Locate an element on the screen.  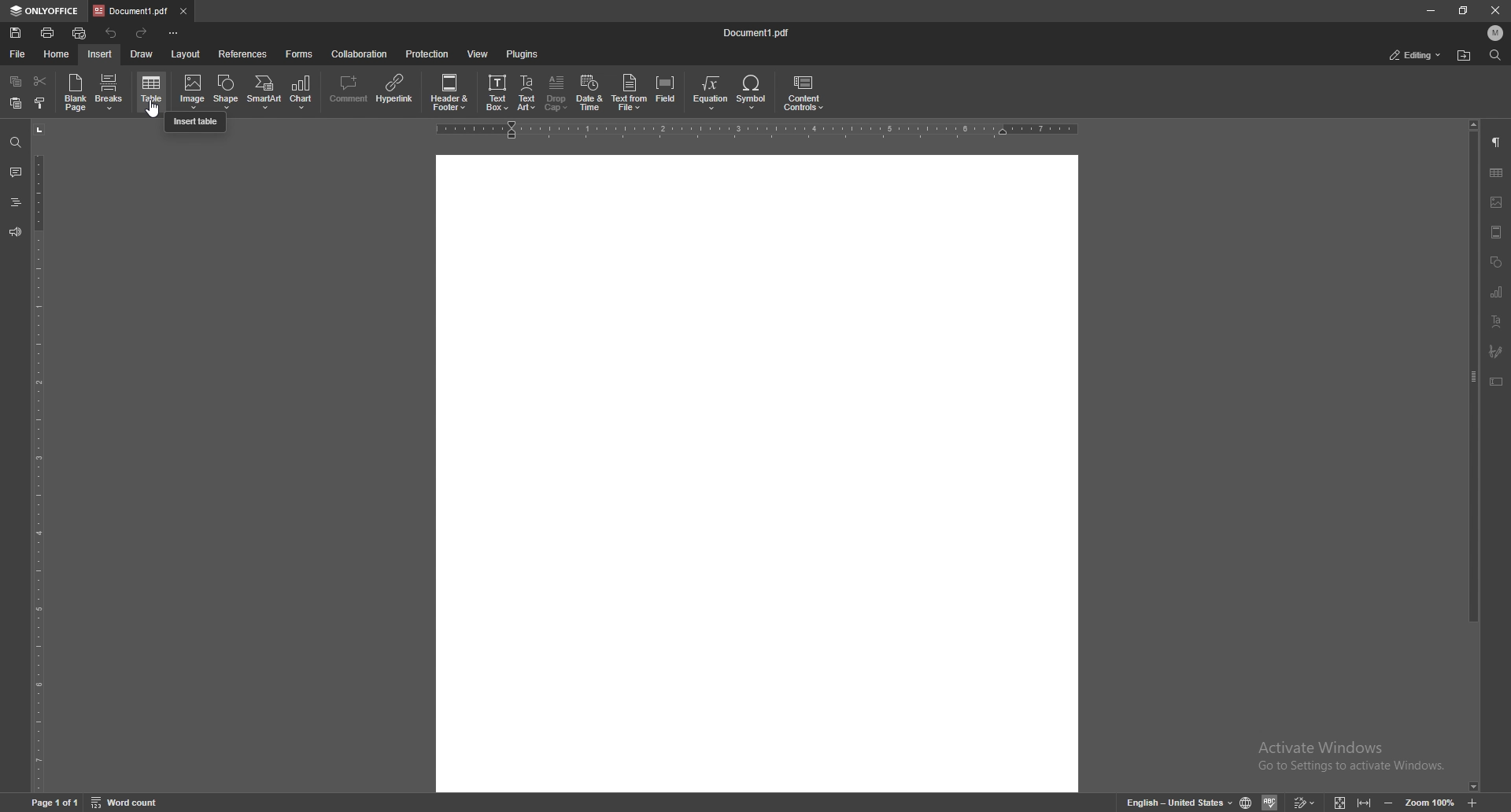
redo is located at coordinates (142, 35).